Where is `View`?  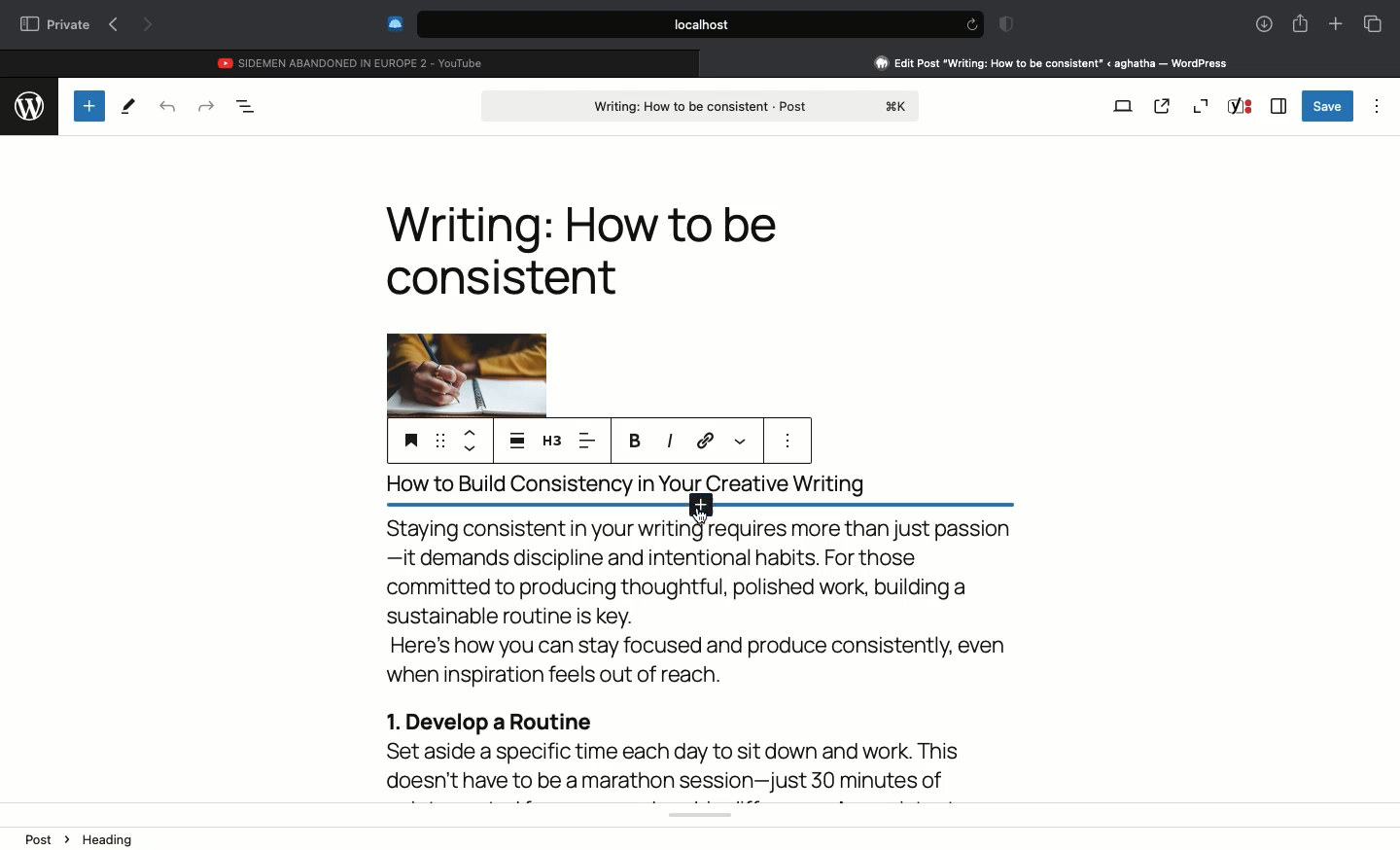
View is located at coordinates (1124, 104).